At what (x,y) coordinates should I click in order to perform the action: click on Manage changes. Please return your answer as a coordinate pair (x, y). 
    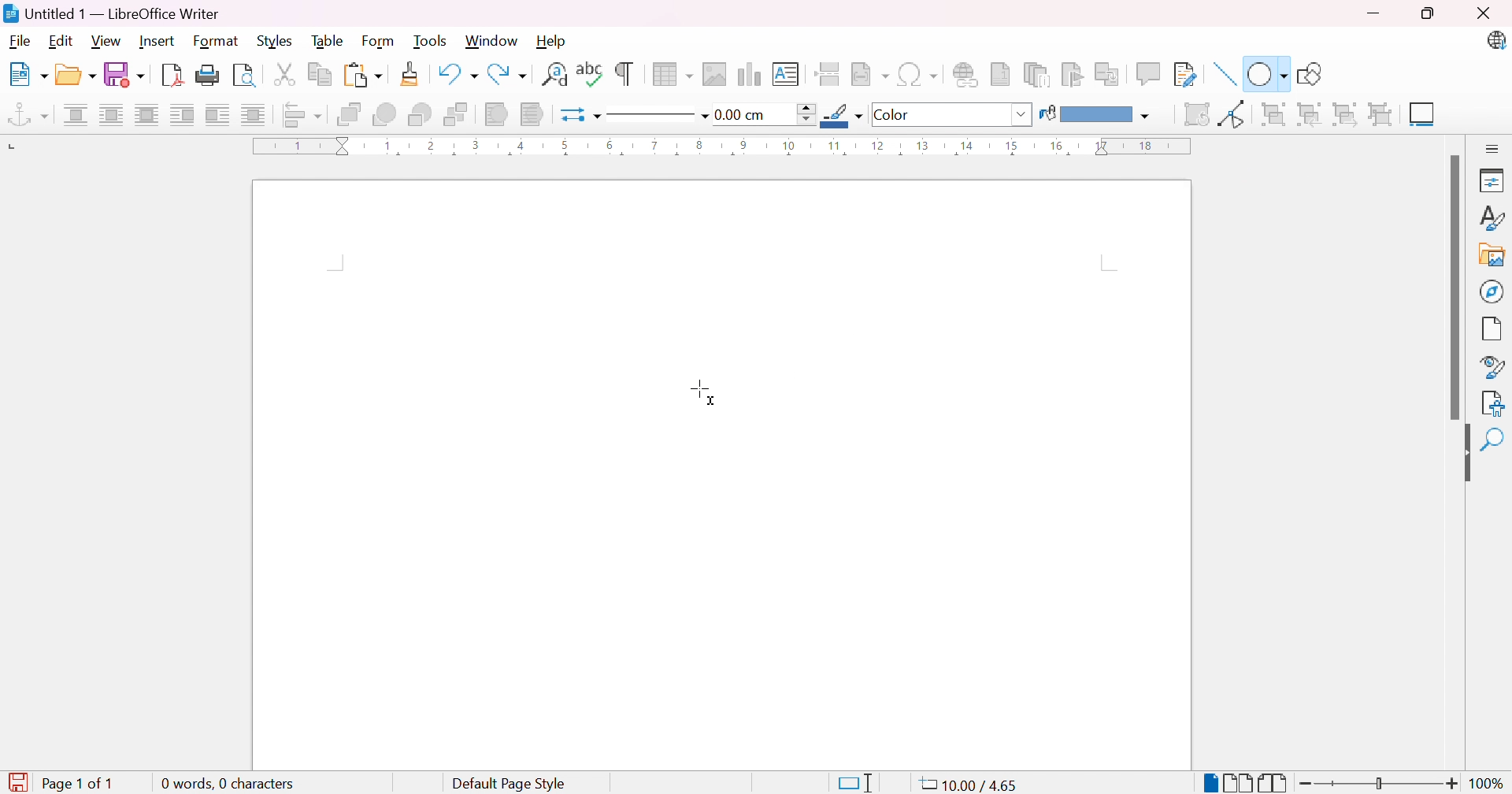
    Looking at the image, I should click on (1496, 402).